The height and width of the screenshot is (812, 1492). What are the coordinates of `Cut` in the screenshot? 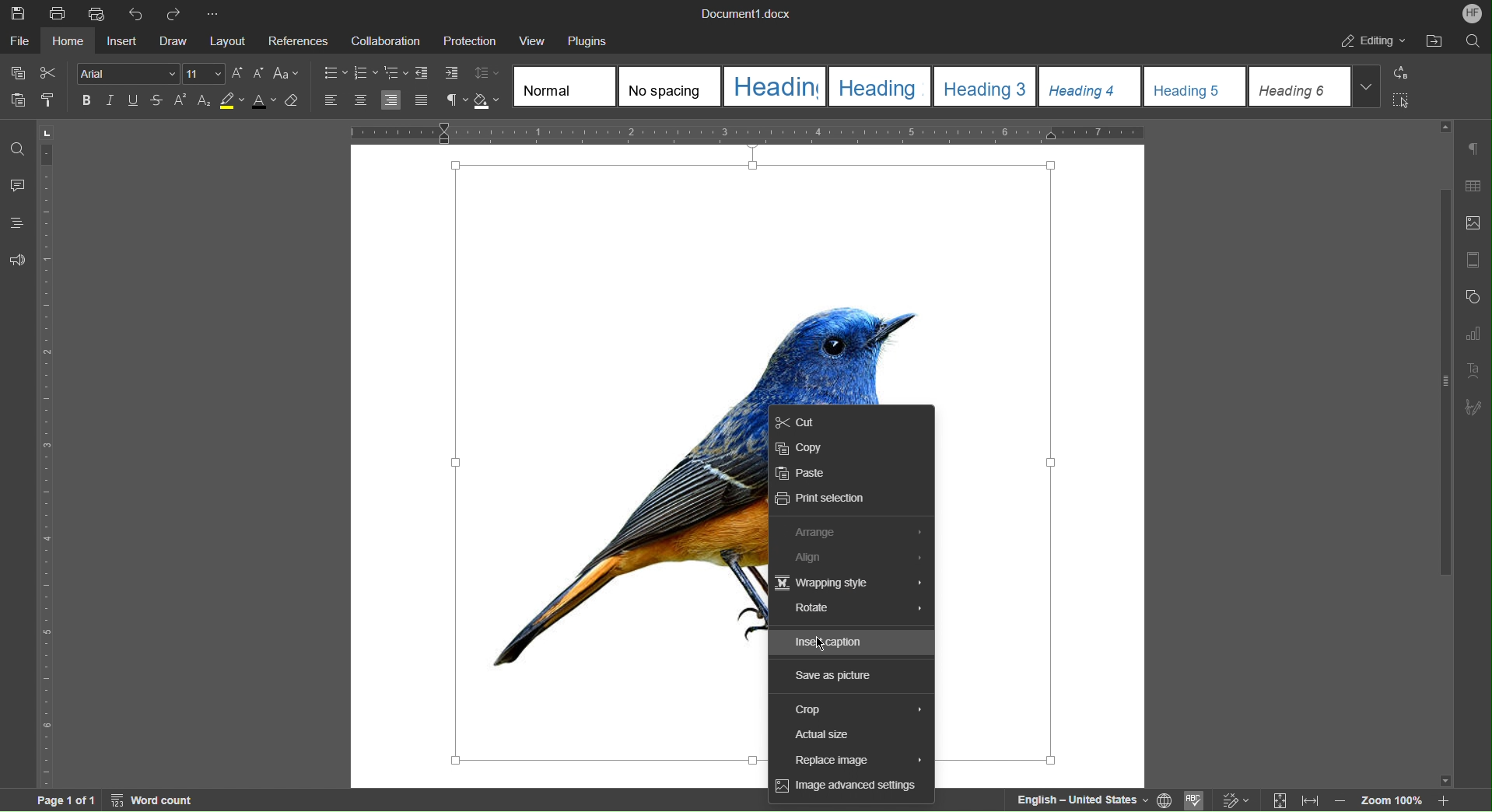 It's located at (49, 73).